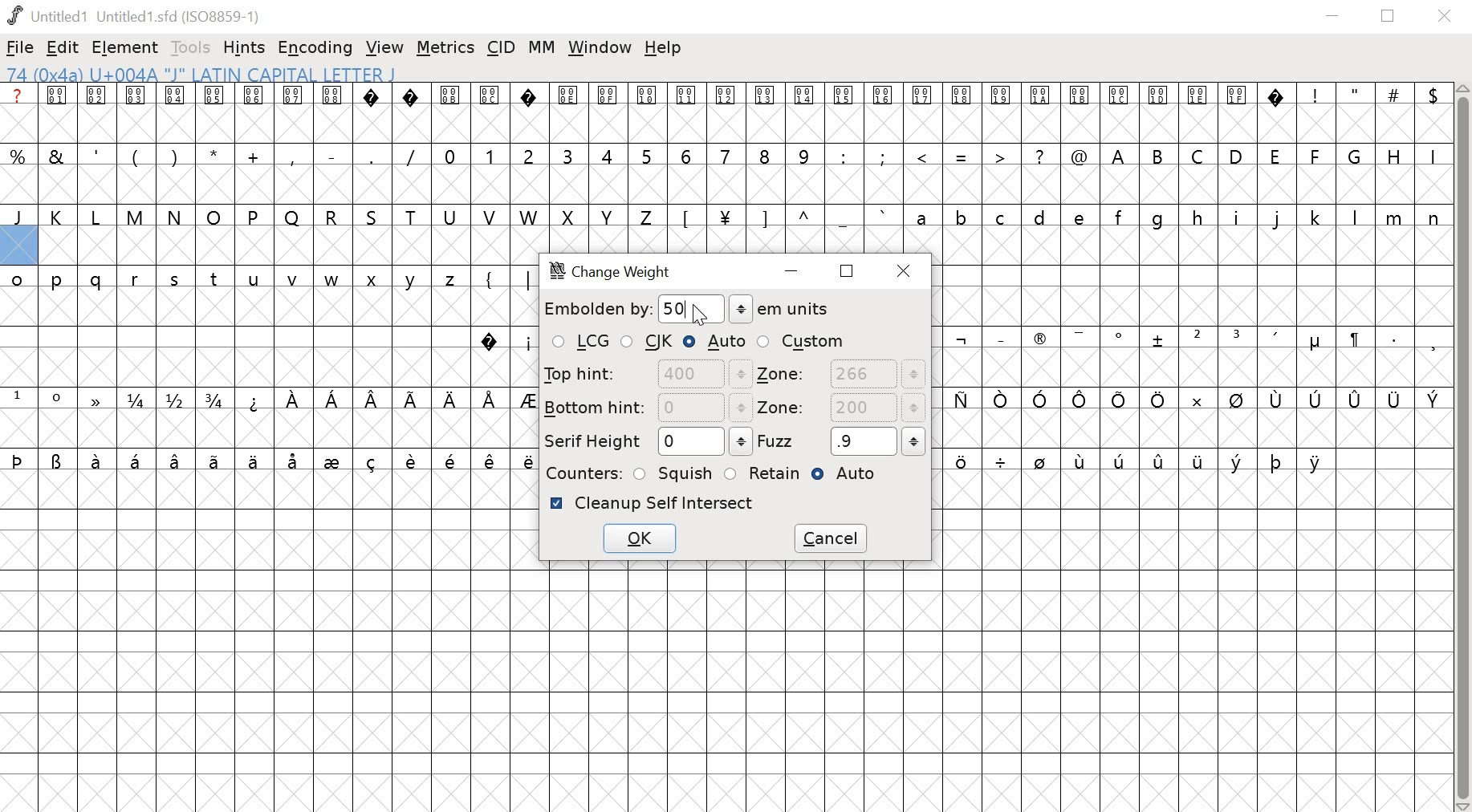 Image resolution: width=1472 pixels, height=812 pixels. I want to click on ENCODING, so click(315, 48).